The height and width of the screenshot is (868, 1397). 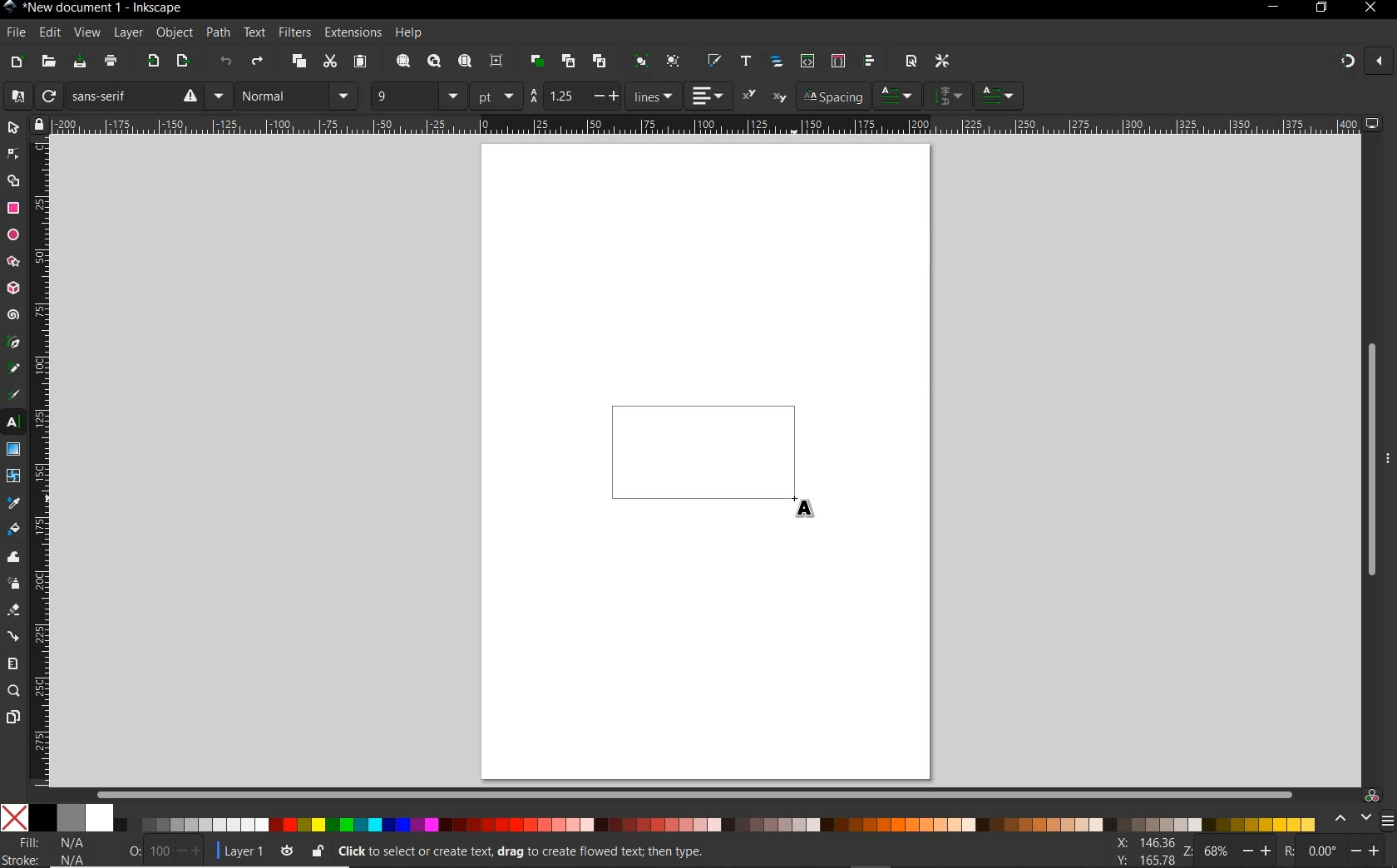 What do you see at coordinates (637, 851) in the screenshot?
I see `no object selected` at bounding box center [637, 851].